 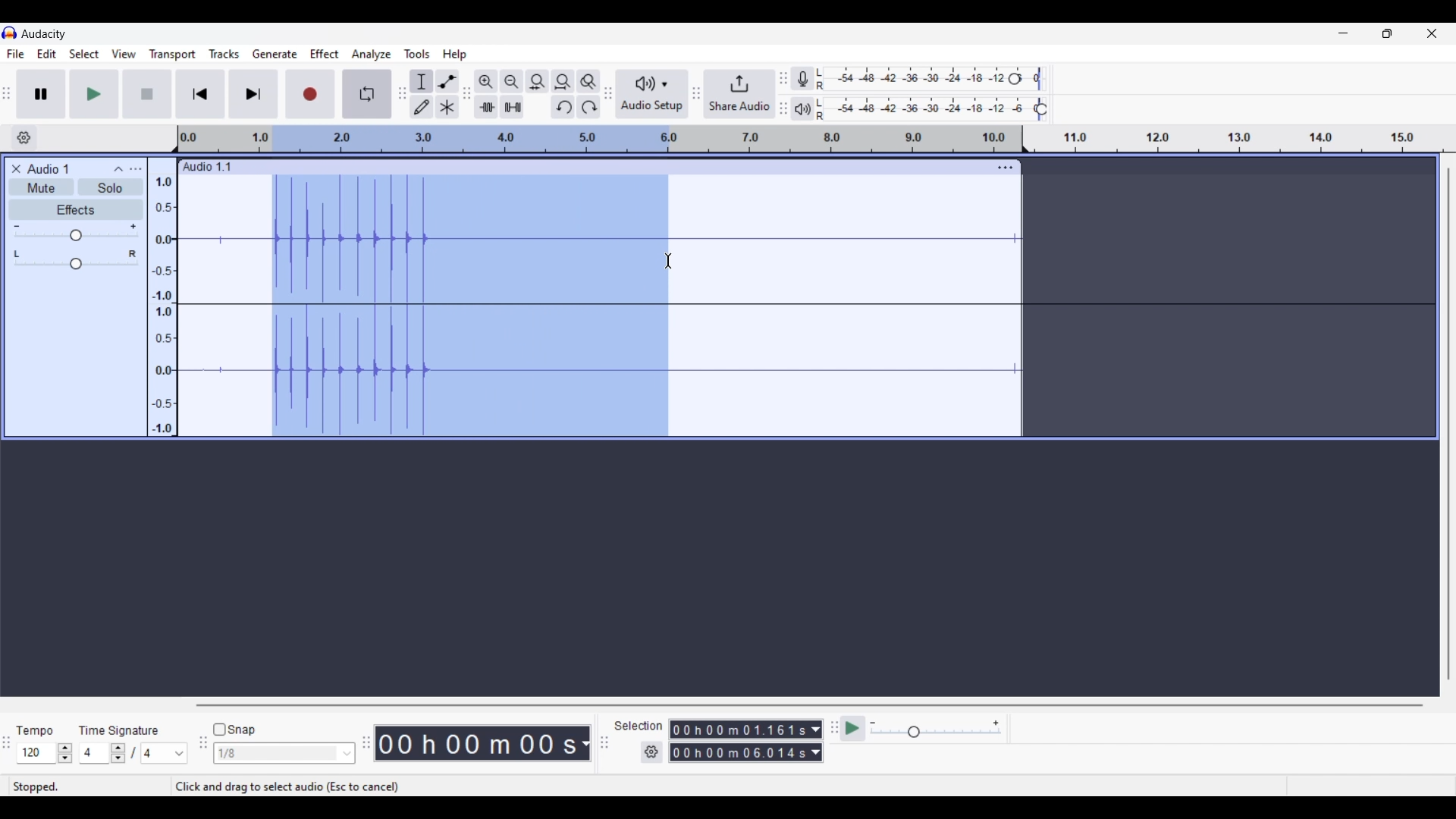 What do you see at coordinates (562, 107) in the screenshot?
I see `Undo` at bounding box center [562, 107].